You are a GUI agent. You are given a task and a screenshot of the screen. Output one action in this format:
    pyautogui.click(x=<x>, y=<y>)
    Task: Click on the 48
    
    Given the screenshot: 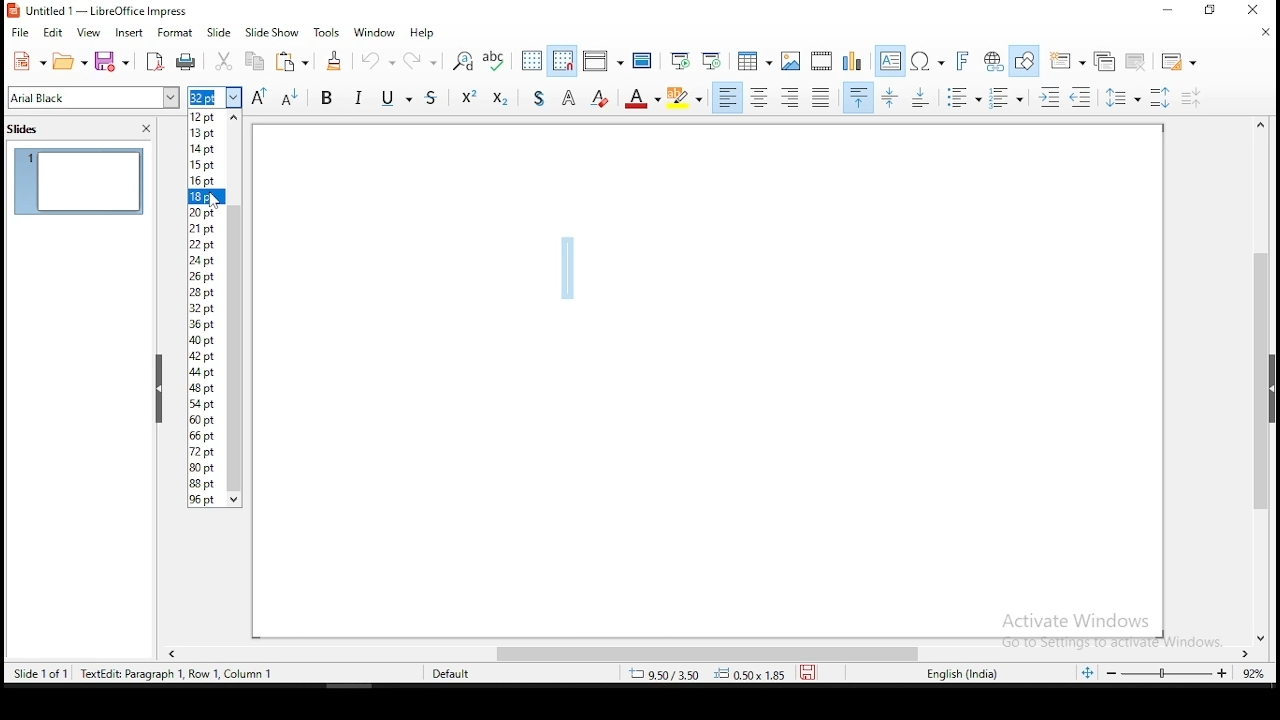 What is the action you would take?
    pyautogui.click(x=207, y=388)
    